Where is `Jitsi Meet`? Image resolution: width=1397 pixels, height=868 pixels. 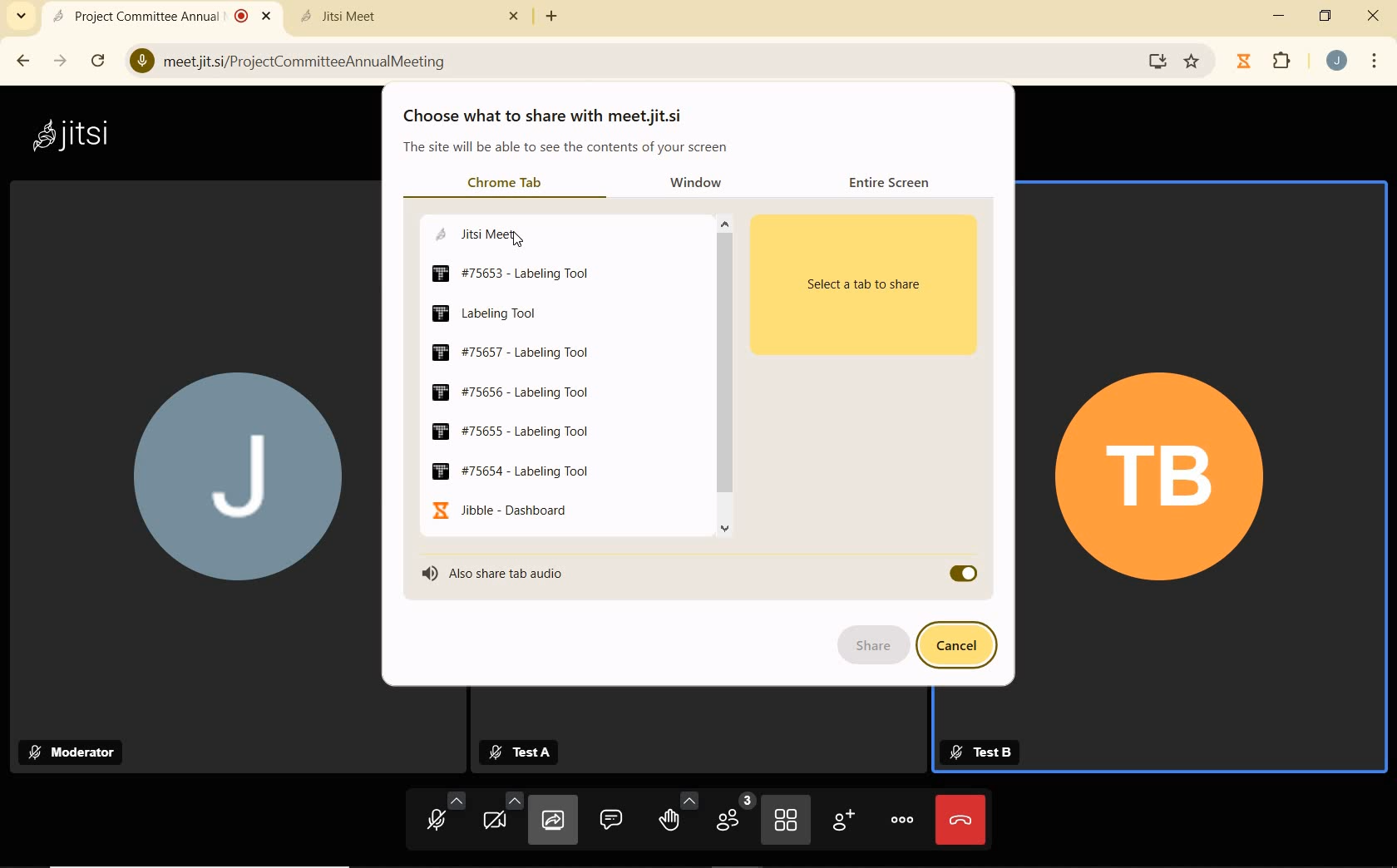
Jitsi Meet is located at coordinates (412, 16).